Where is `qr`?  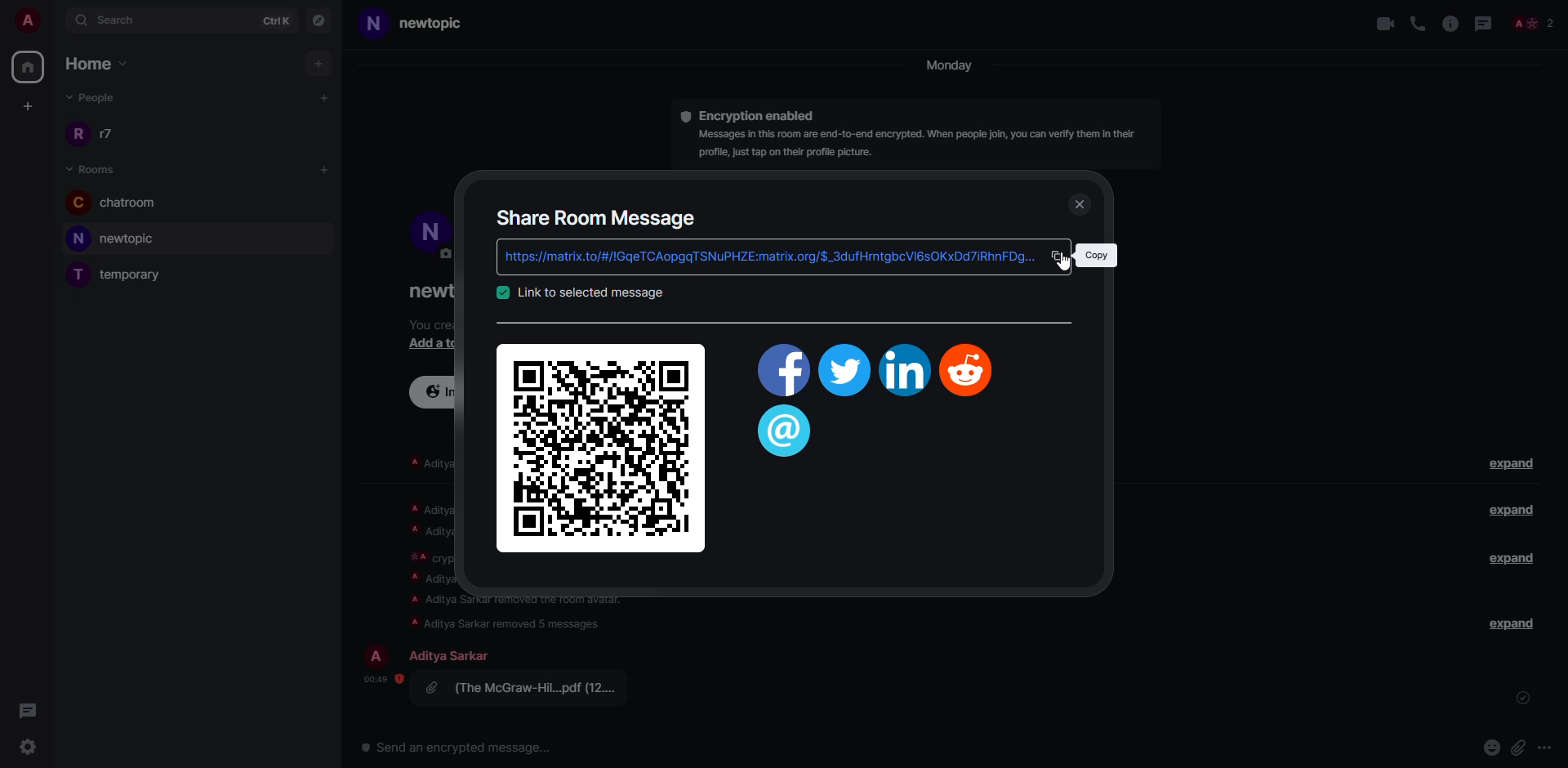
qr is located at coordinates (603, 446).